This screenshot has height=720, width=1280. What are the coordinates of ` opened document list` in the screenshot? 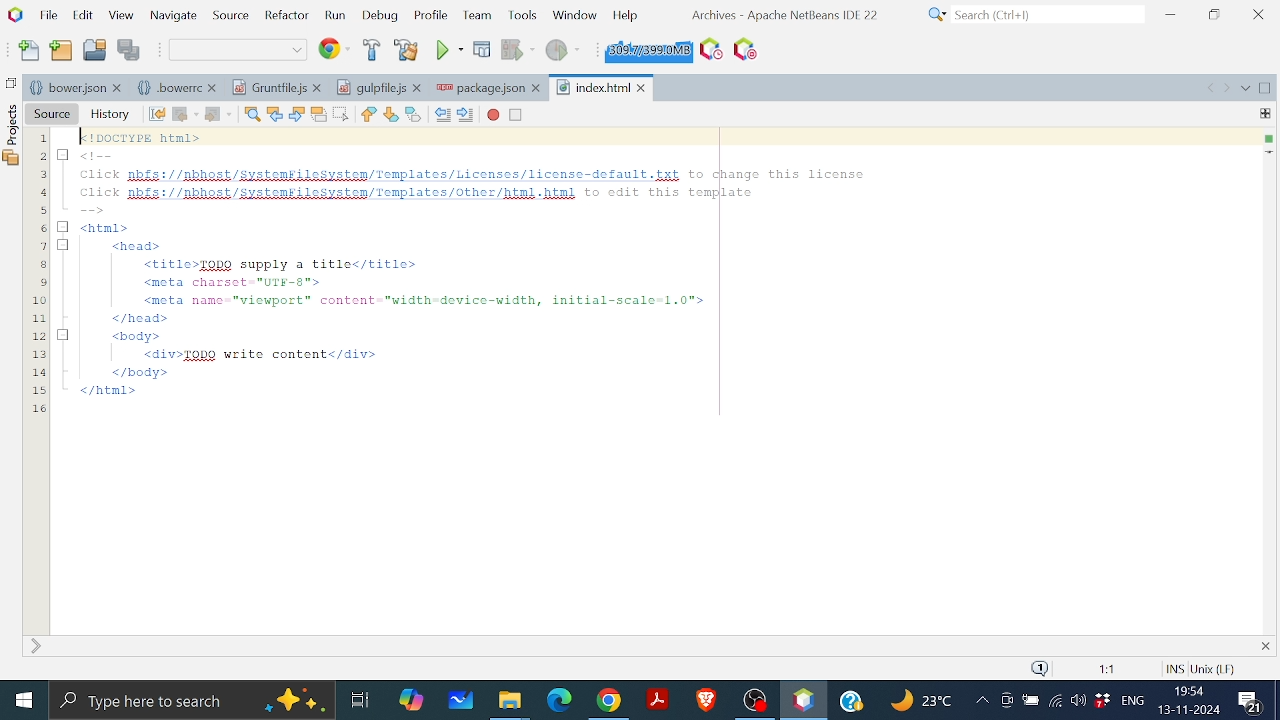 It's located at (1245, 90).